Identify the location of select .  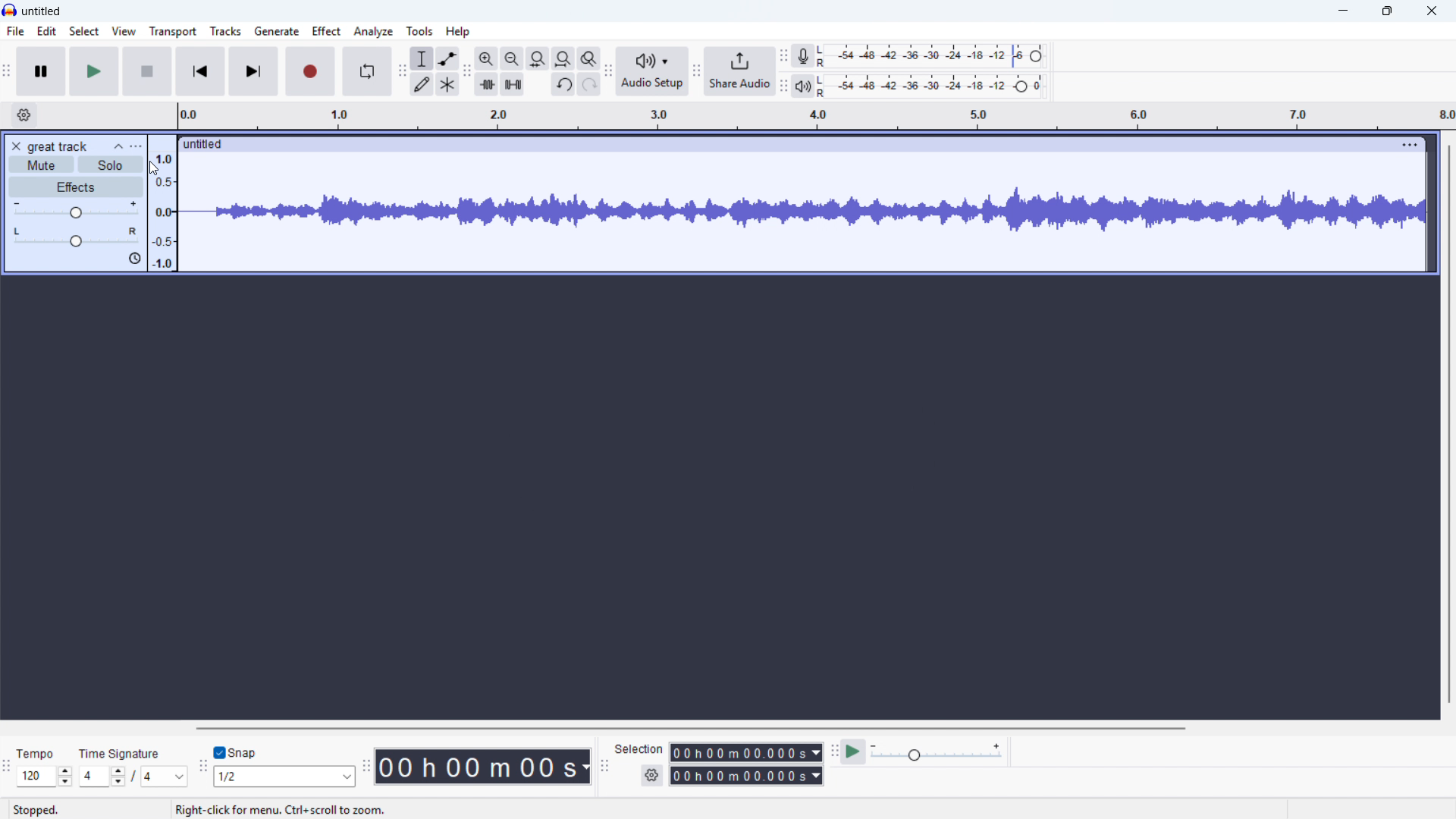
(85, 32).